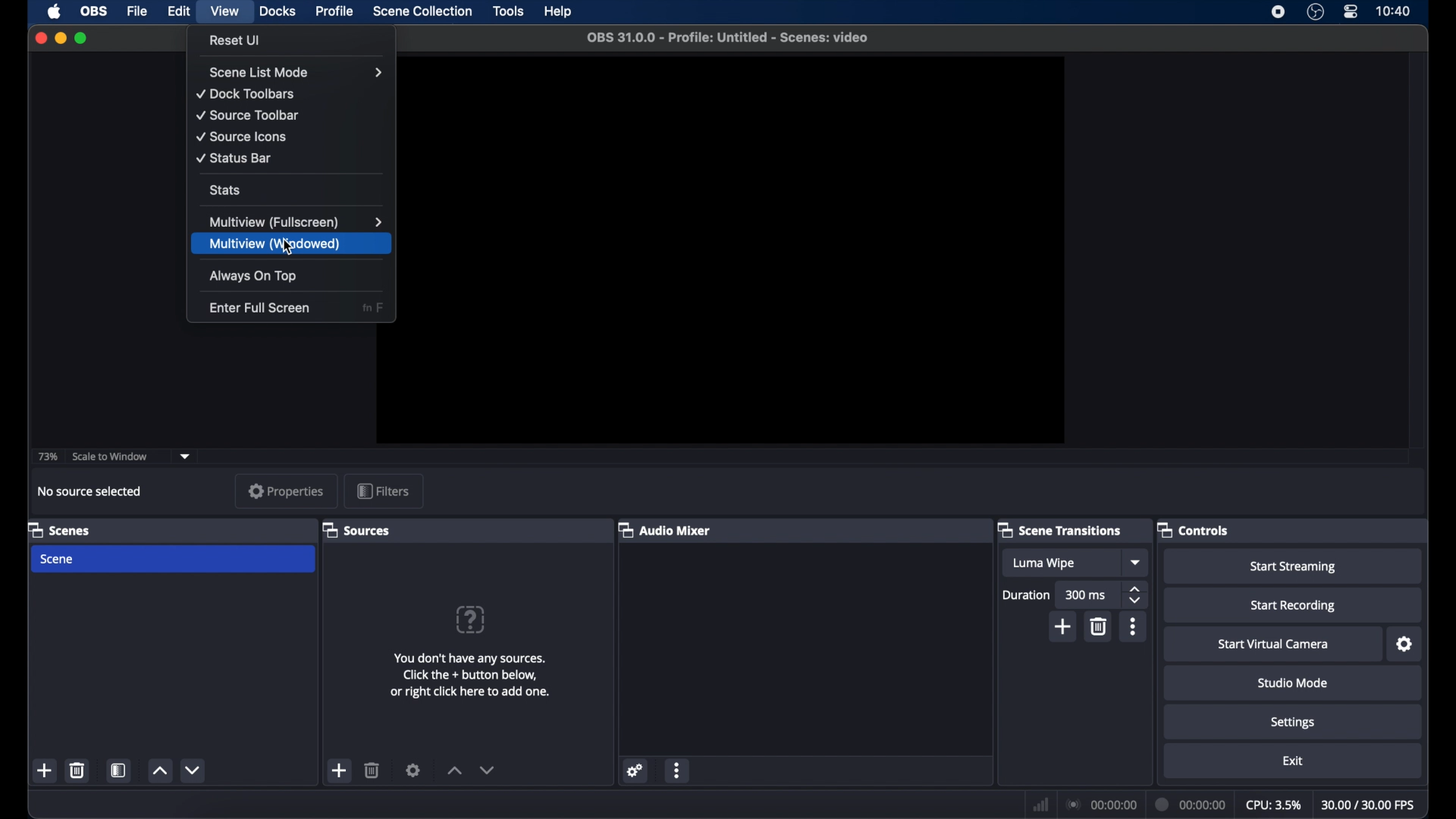  Describe the element at coordinates (472, 672) in the screenshot. I see `You don't have any sources.
Click the + button below,
or right click here to add one.` at that location.